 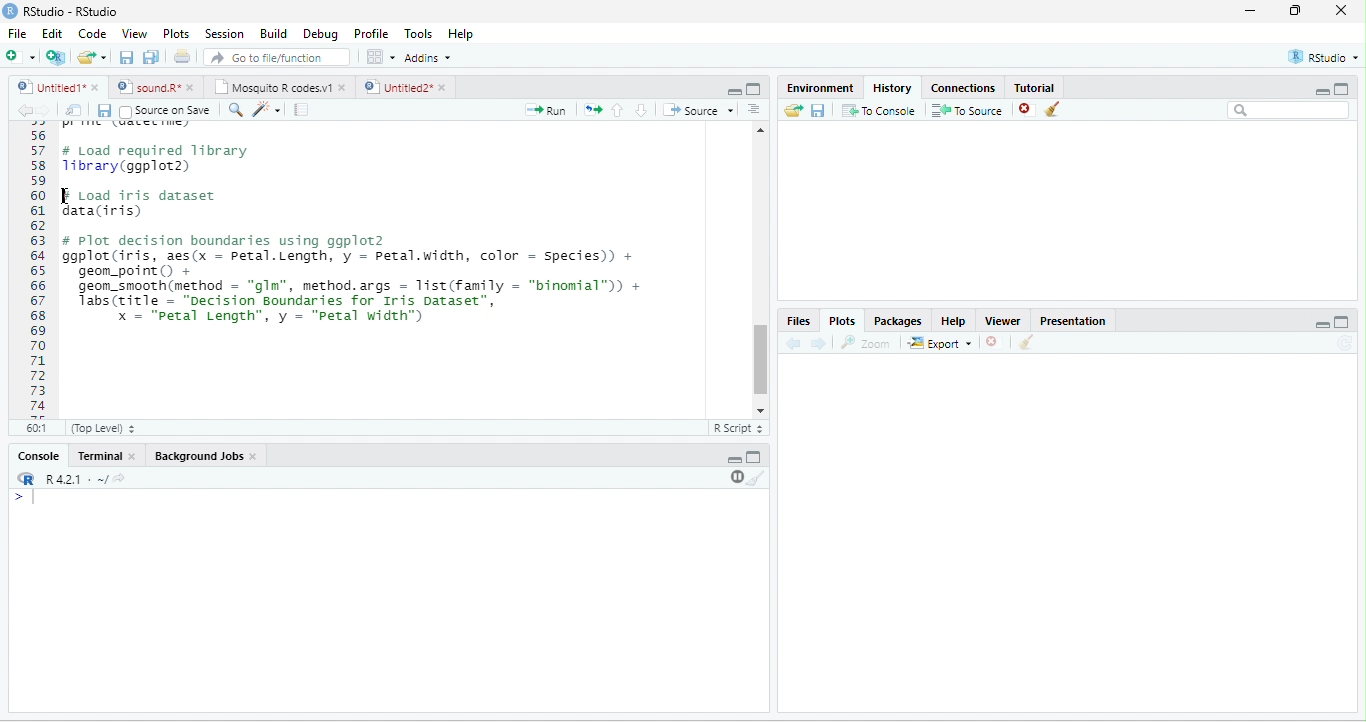 I want to click on show in new window, so click(x=75, y=110).